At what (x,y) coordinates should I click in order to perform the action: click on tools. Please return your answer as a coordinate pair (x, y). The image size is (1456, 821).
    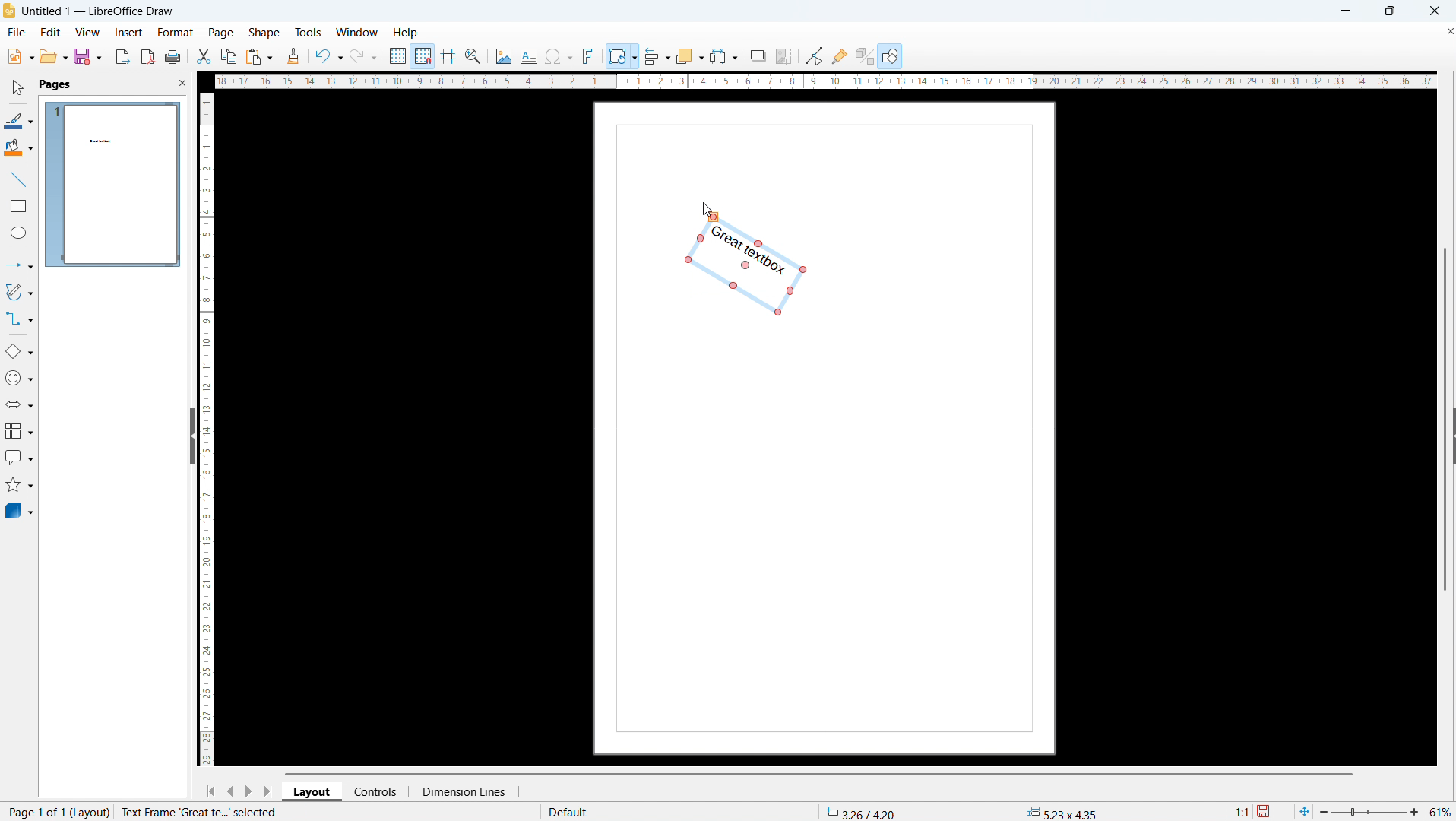
    Looking at the image, I should click on (308, 33).